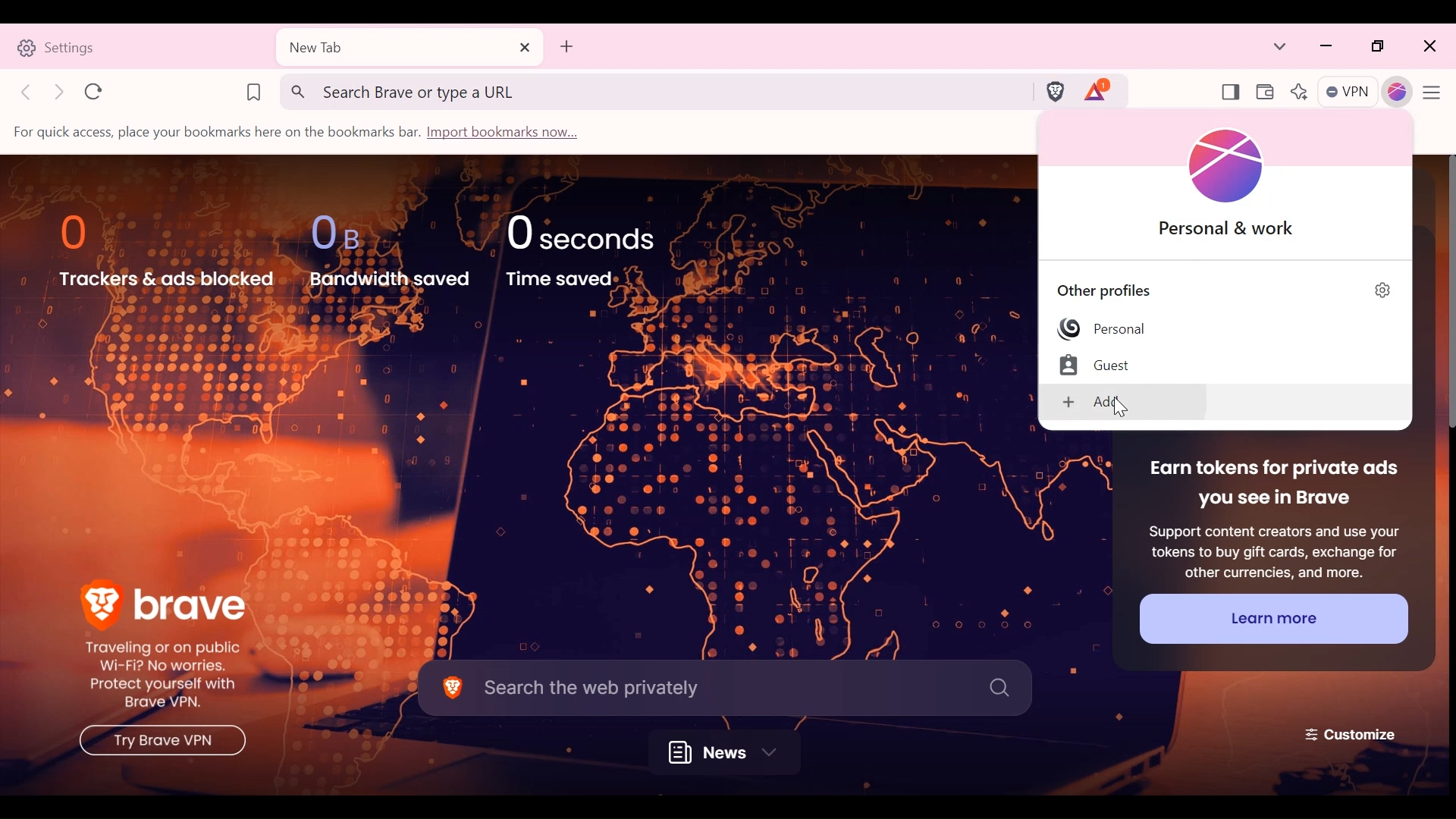  Describe the element at coordinates (1398, 93) in the screenshot. I see `Profiles` at that location.